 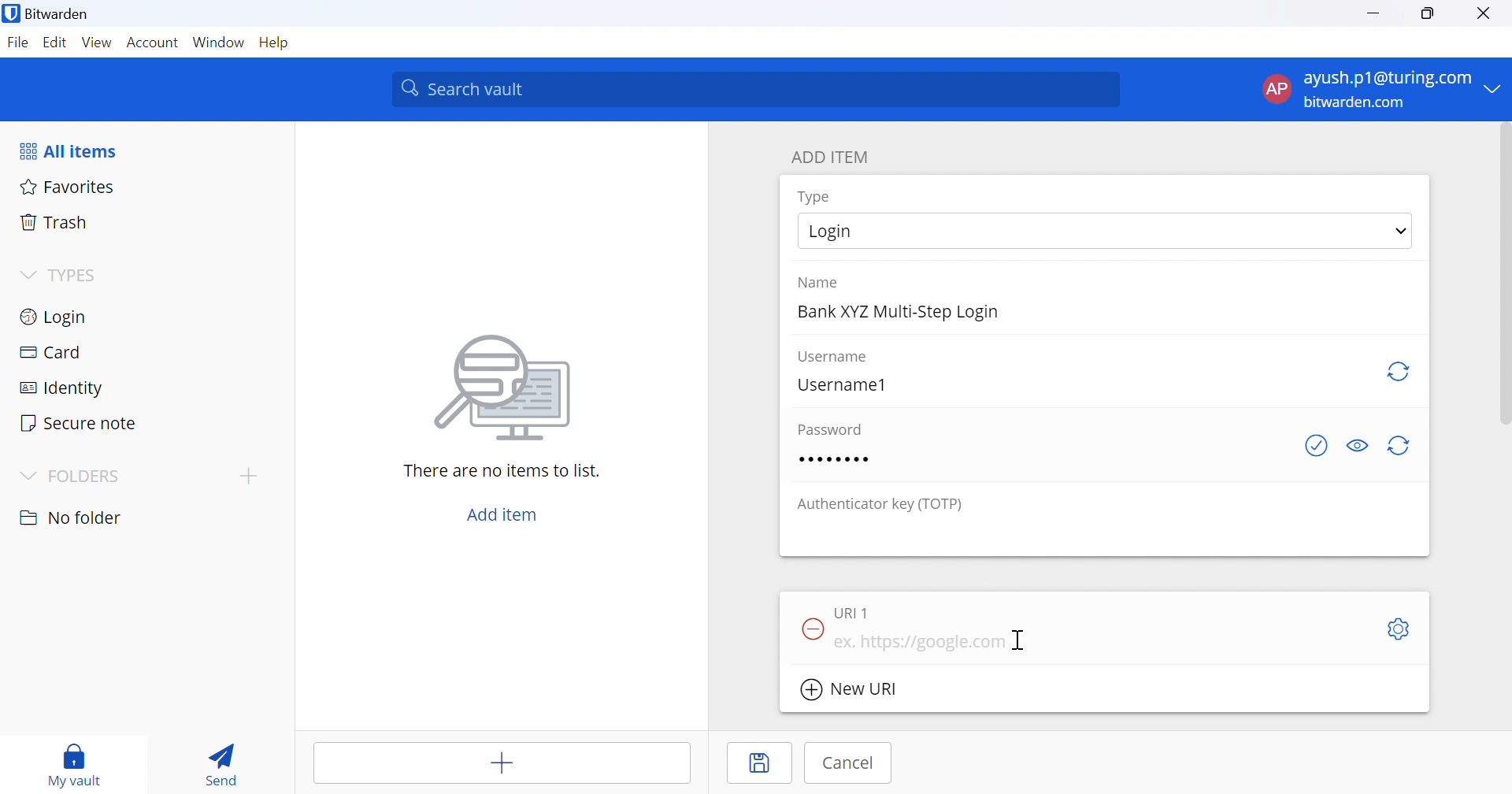 I want to click on Toggle visibility, so click(x=1357, y=446).